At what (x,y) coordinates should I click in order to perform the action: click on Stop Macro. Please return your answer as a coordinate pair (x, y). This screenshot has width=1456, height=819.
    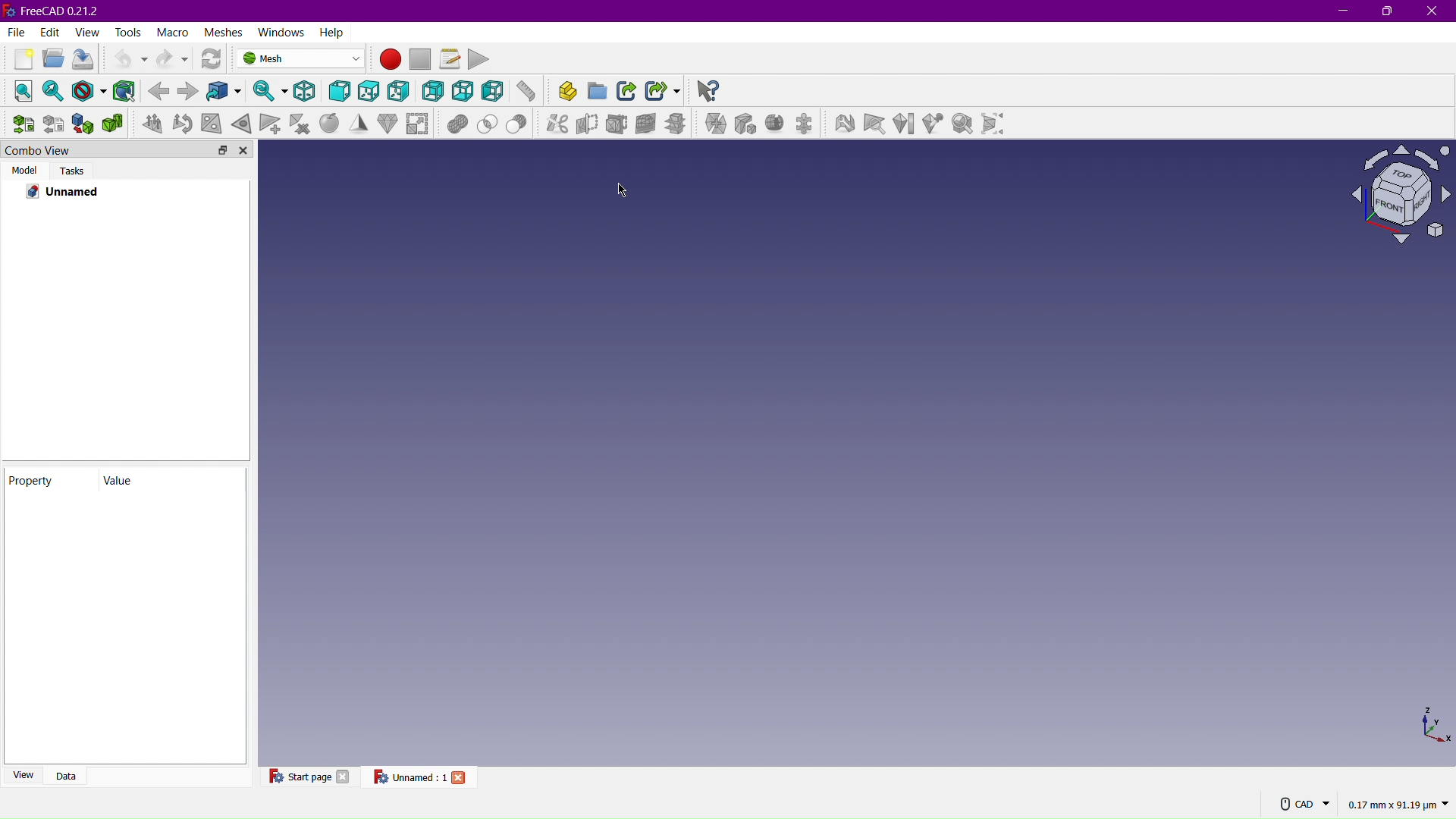
    Looking at the image, I should click on (422, 59).